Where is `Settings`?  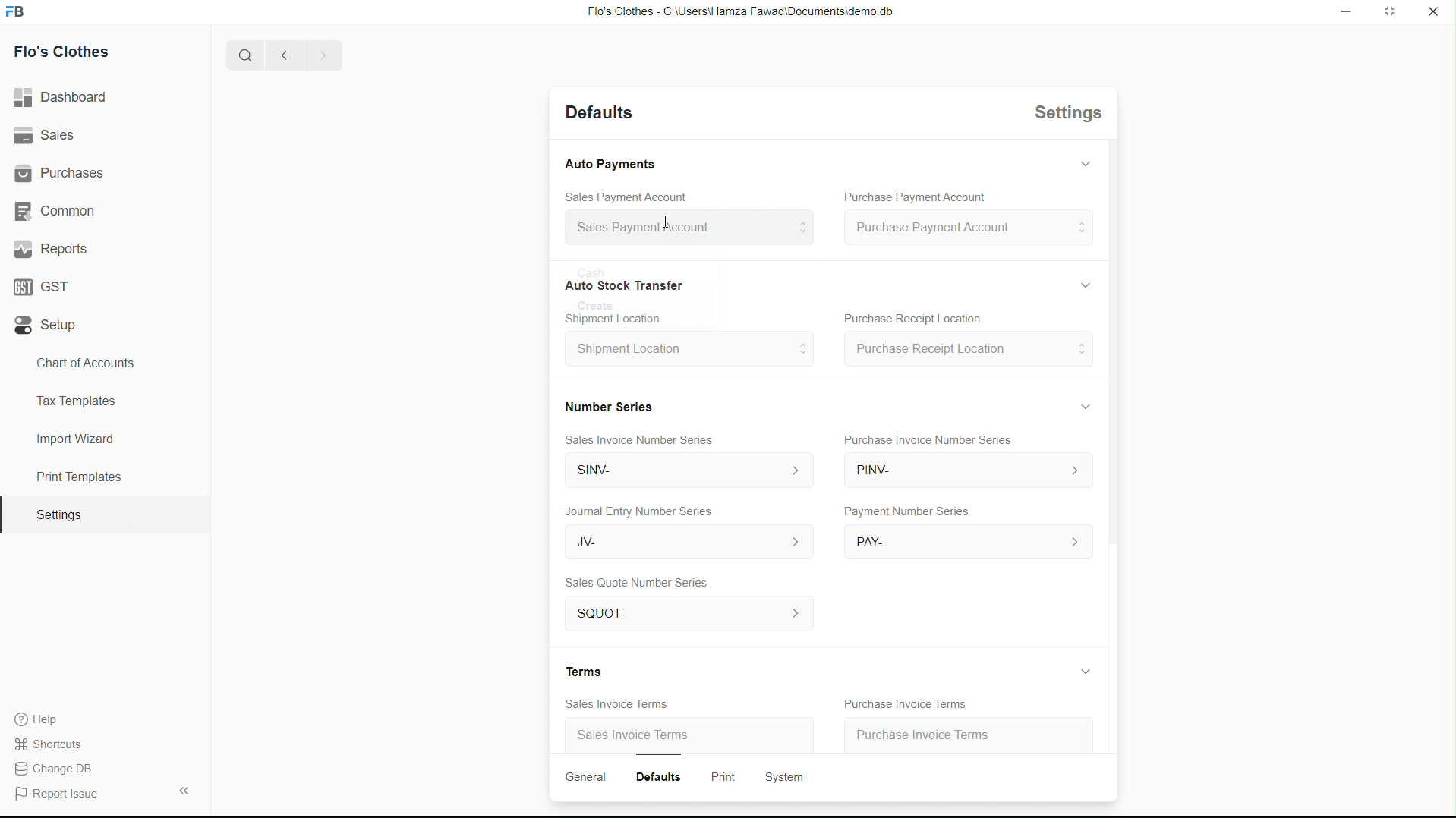
Settings is located at coordinates (58, 515).